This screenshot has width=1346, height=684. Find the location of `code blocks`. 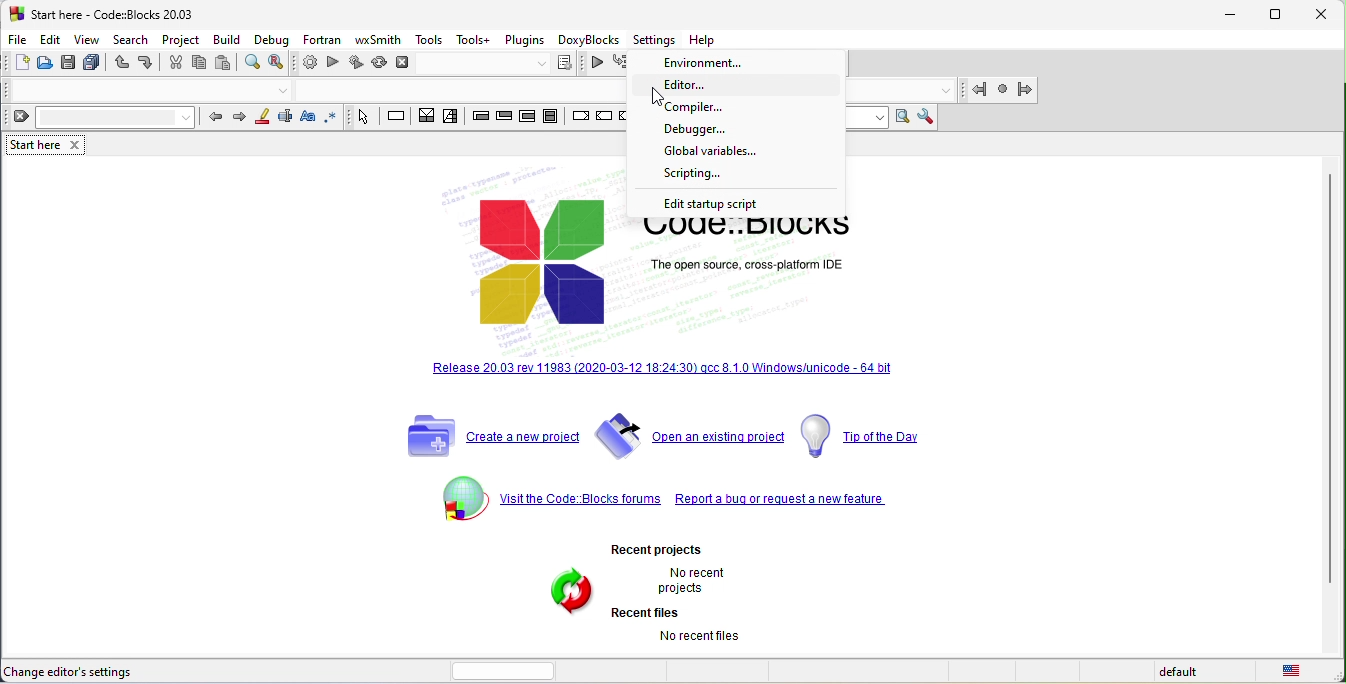

code blocks is located at coordinates (527, 247).